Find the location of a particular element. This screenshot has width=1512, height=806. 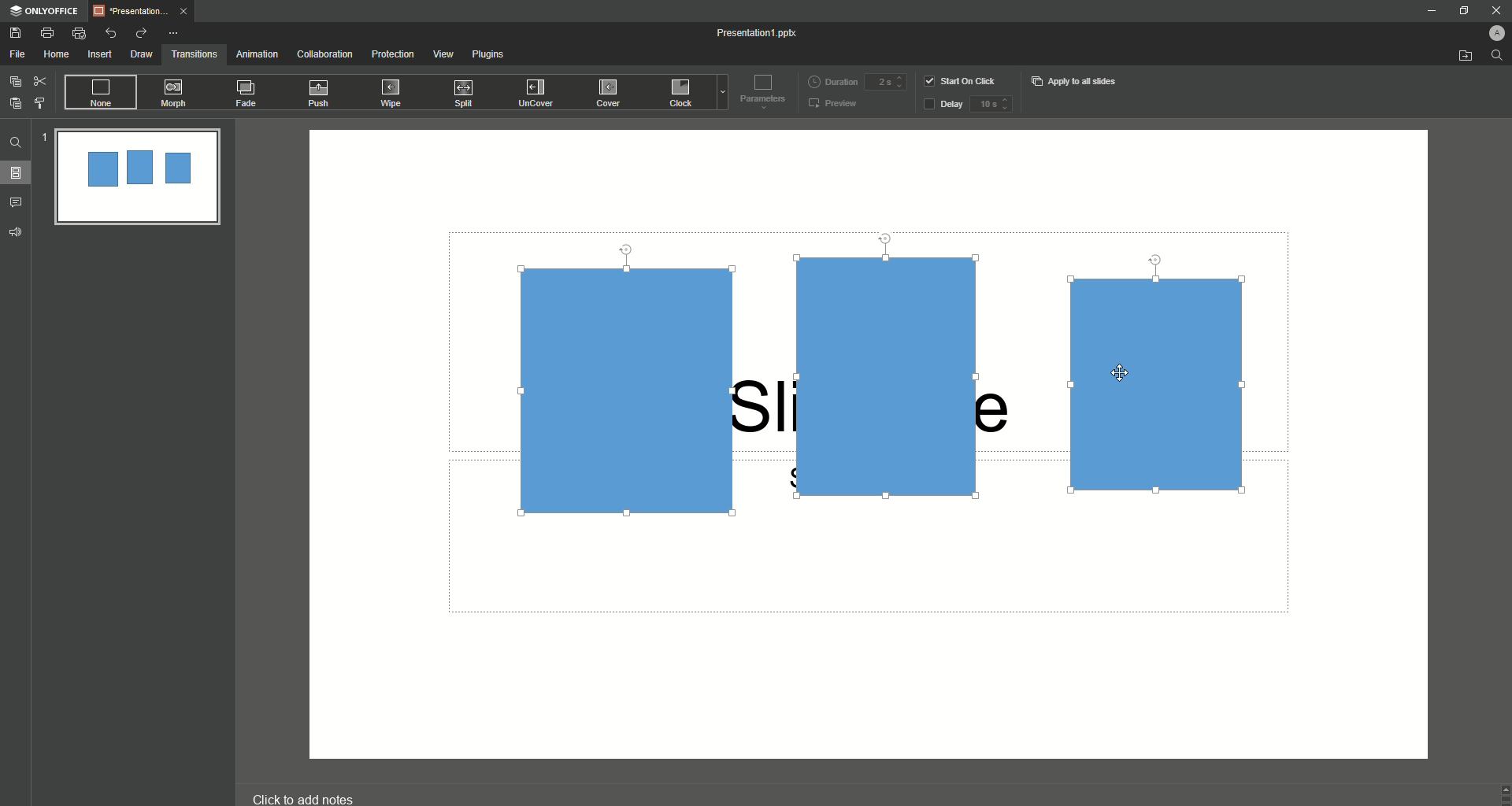

Minimize is located at coordinates (1430, 13).